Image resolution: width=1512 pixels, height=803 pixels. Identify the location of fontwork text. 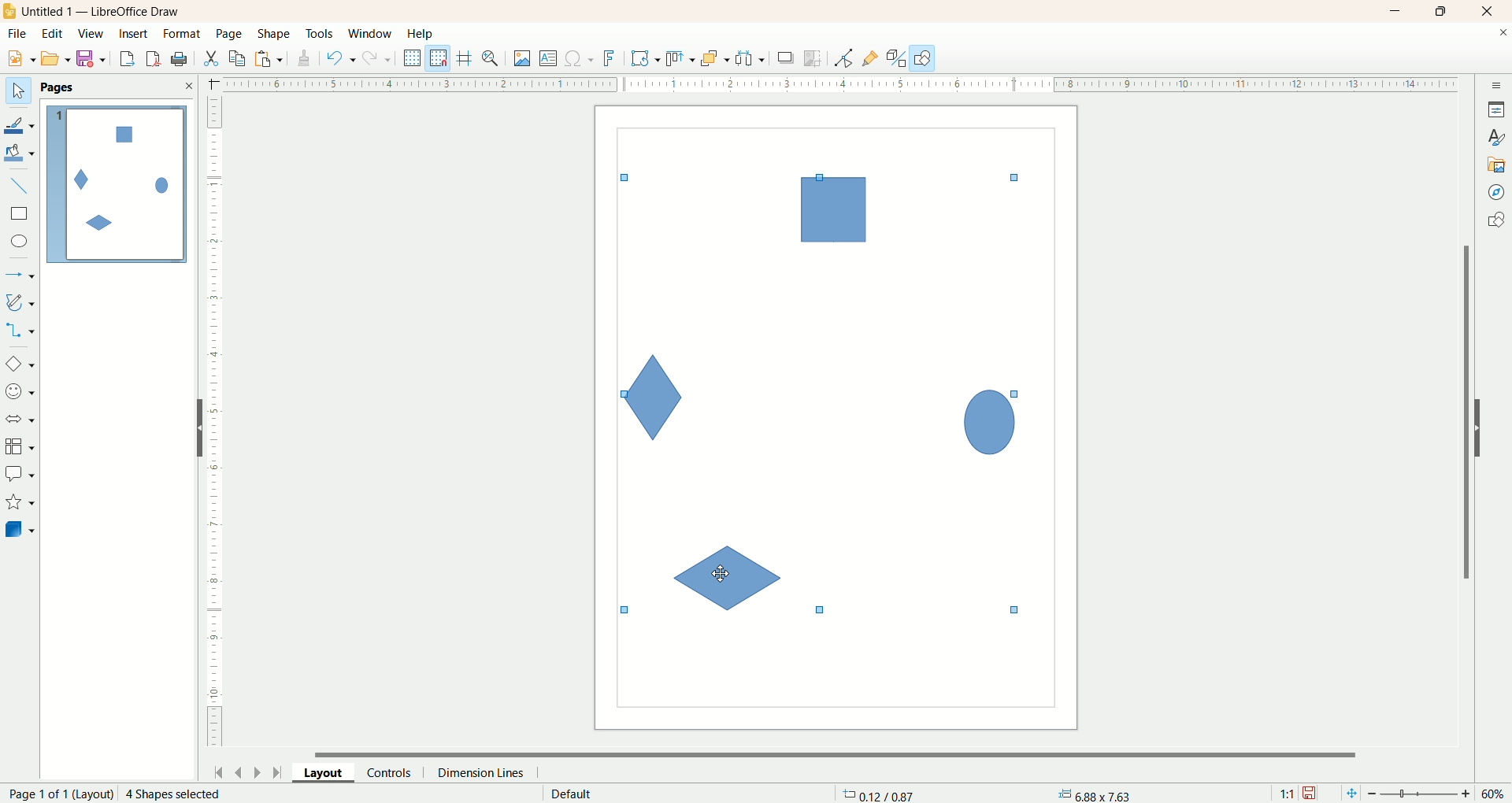
(612, 59).